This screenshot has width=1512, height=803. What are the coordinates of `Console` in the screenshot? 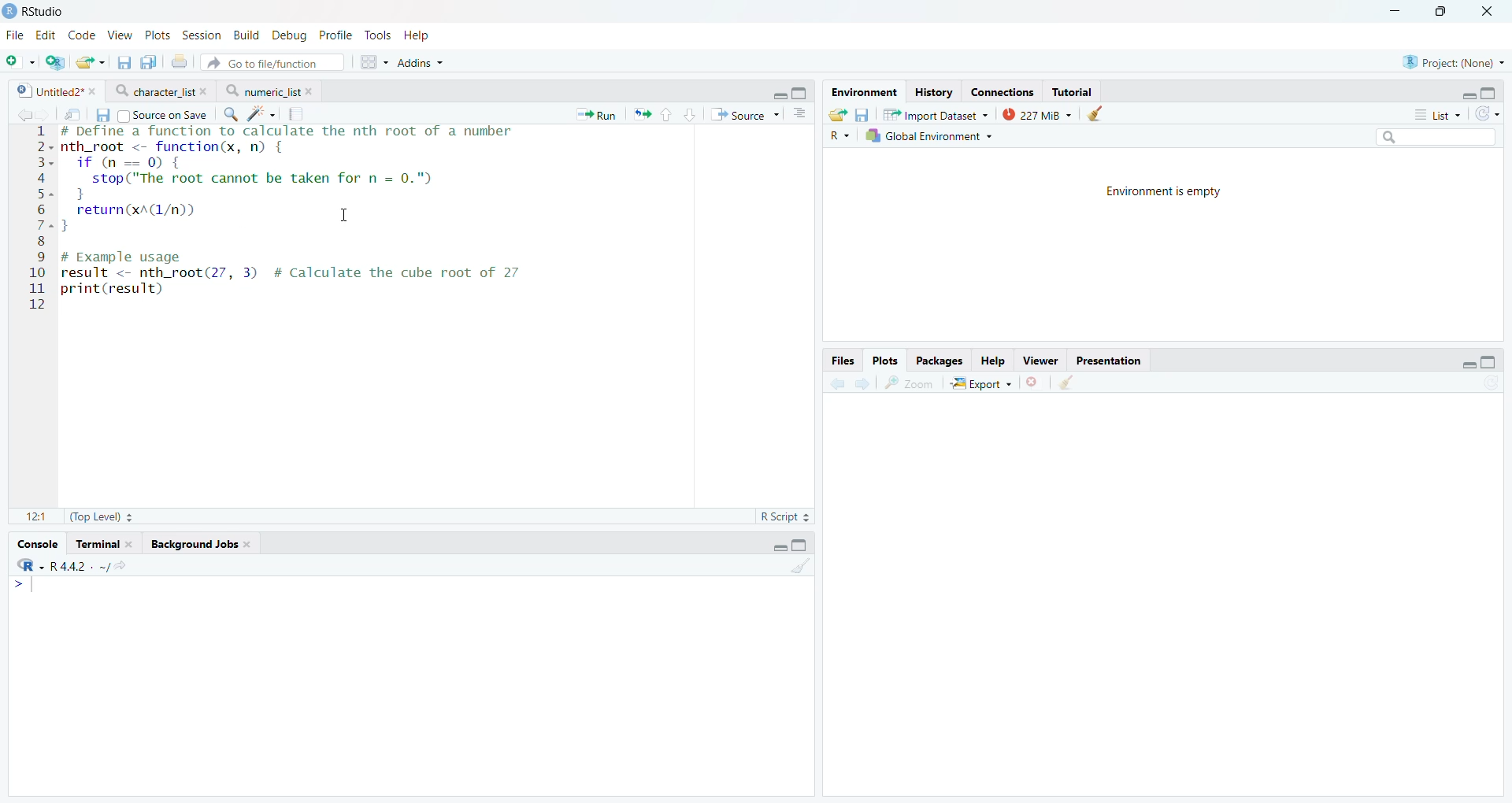 It's located at (35, 543).